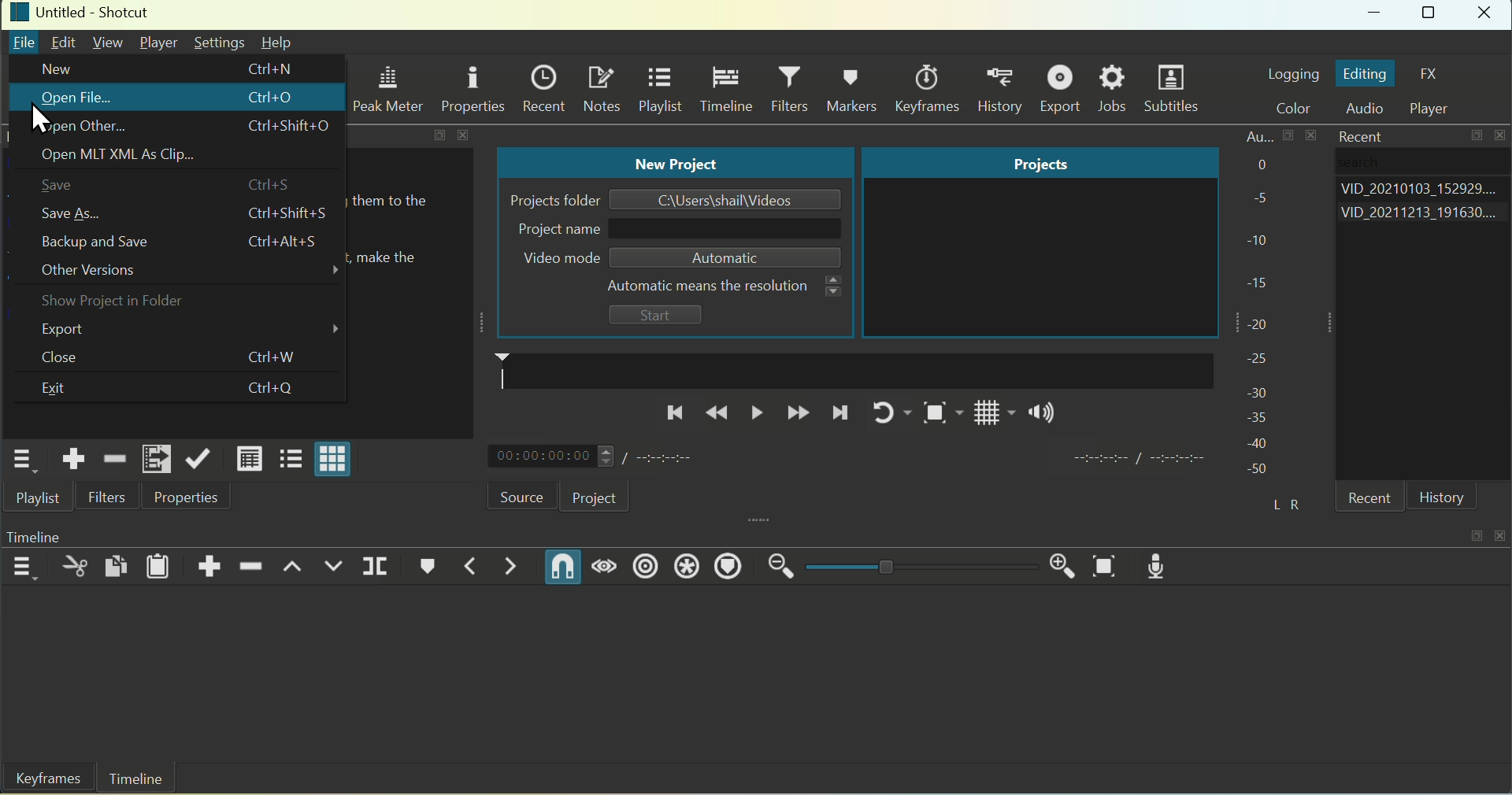 The height and width of the screenshot is (795, 1512). I want to click on Recent, so click(1374, 500).